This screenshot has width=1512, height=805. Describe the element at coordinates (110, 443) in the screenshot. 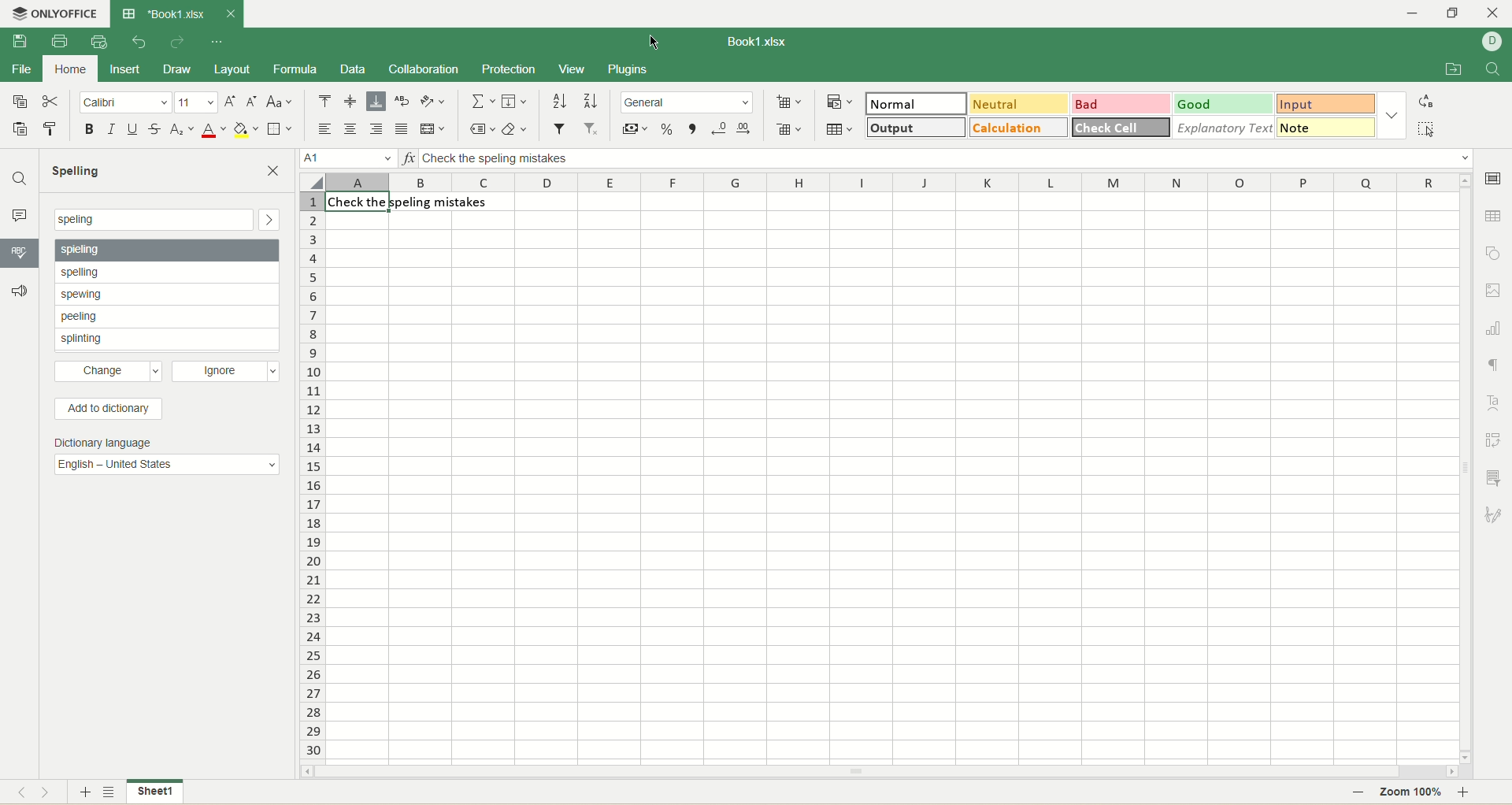

I see `Dictionary language` at that location.